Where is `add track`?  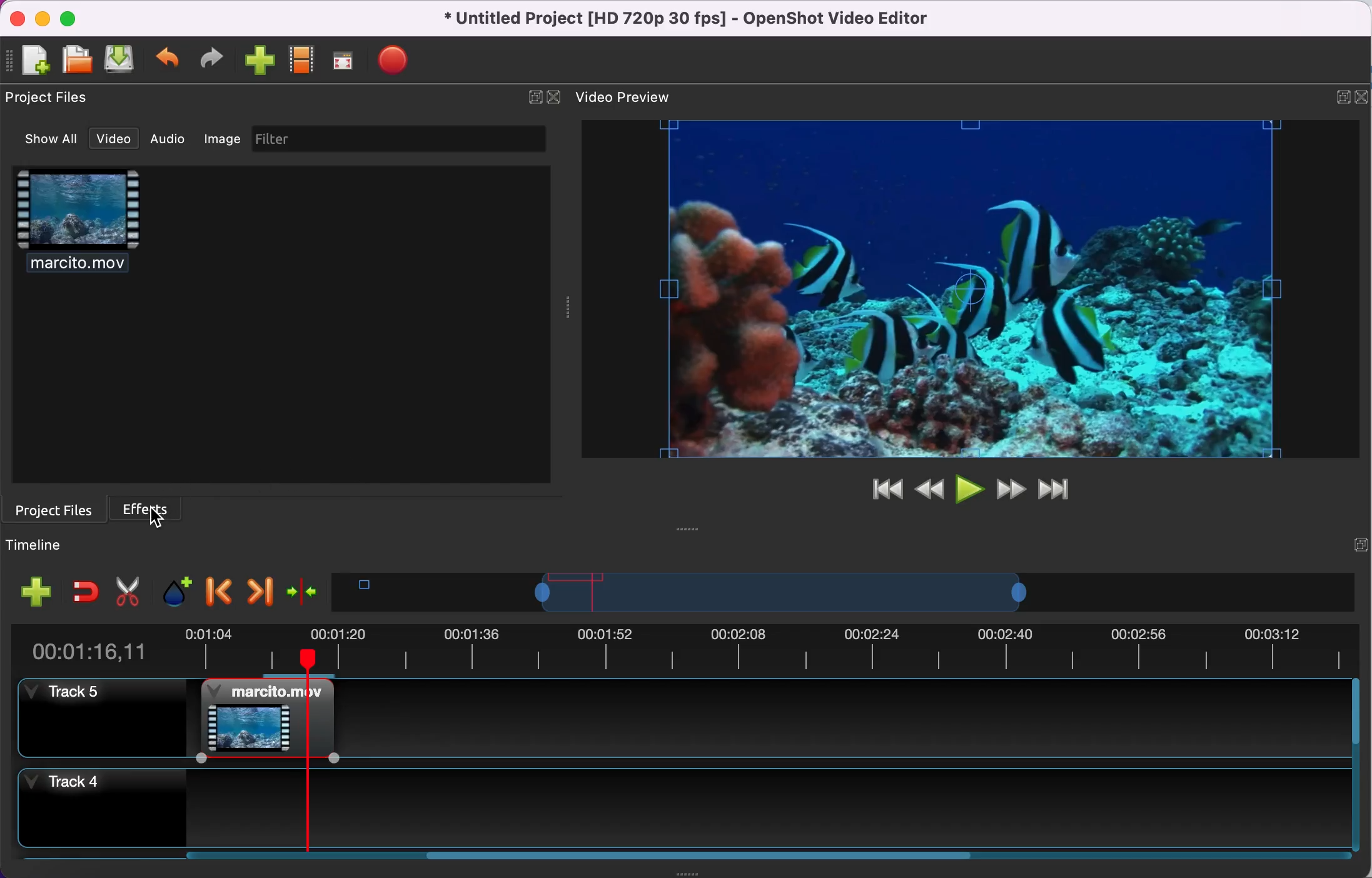 add track is located at coordinates (33, 595).